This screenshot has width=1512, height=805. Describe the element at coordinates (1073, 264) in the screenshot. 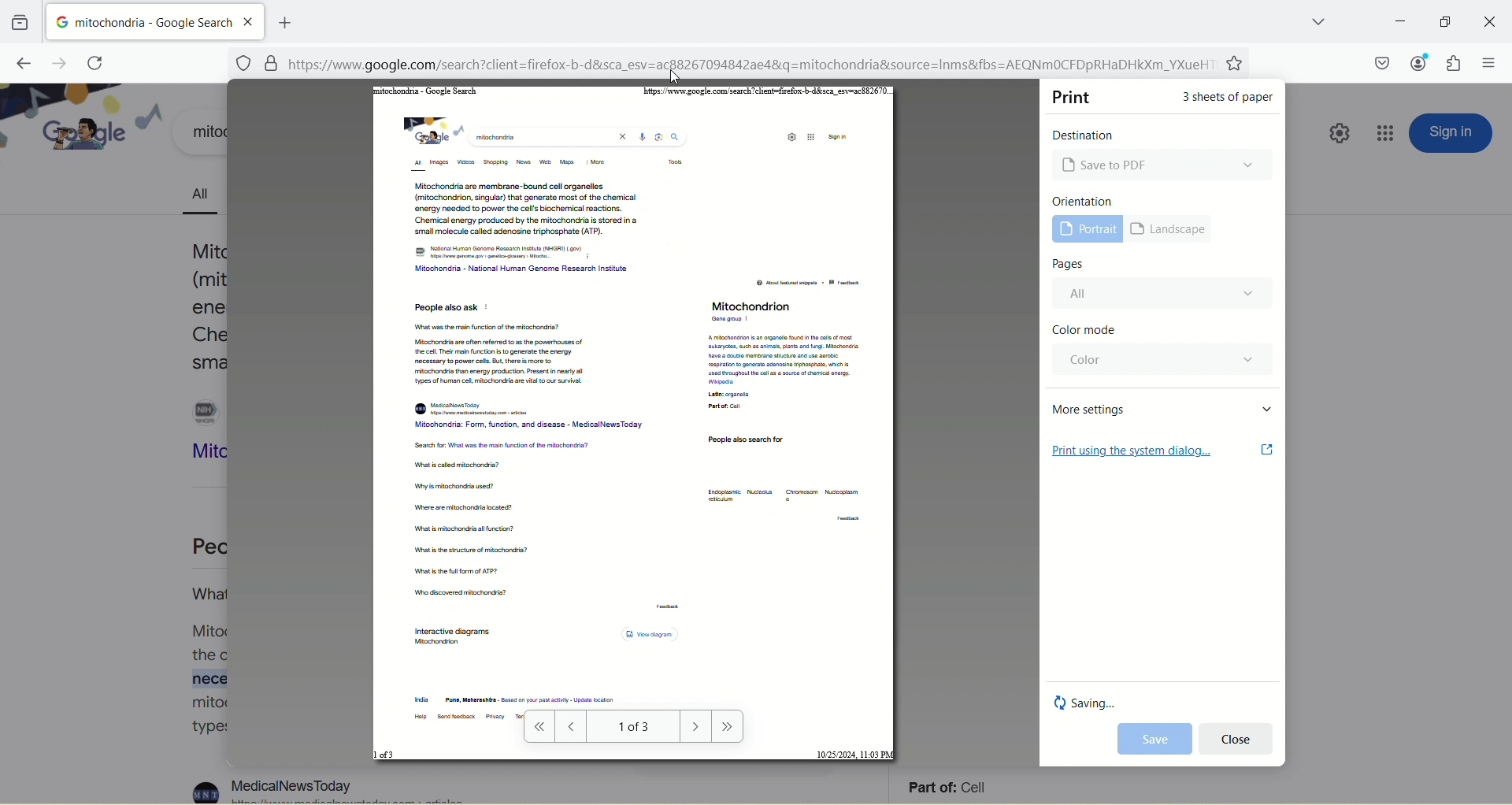

I see `pages` at that location.